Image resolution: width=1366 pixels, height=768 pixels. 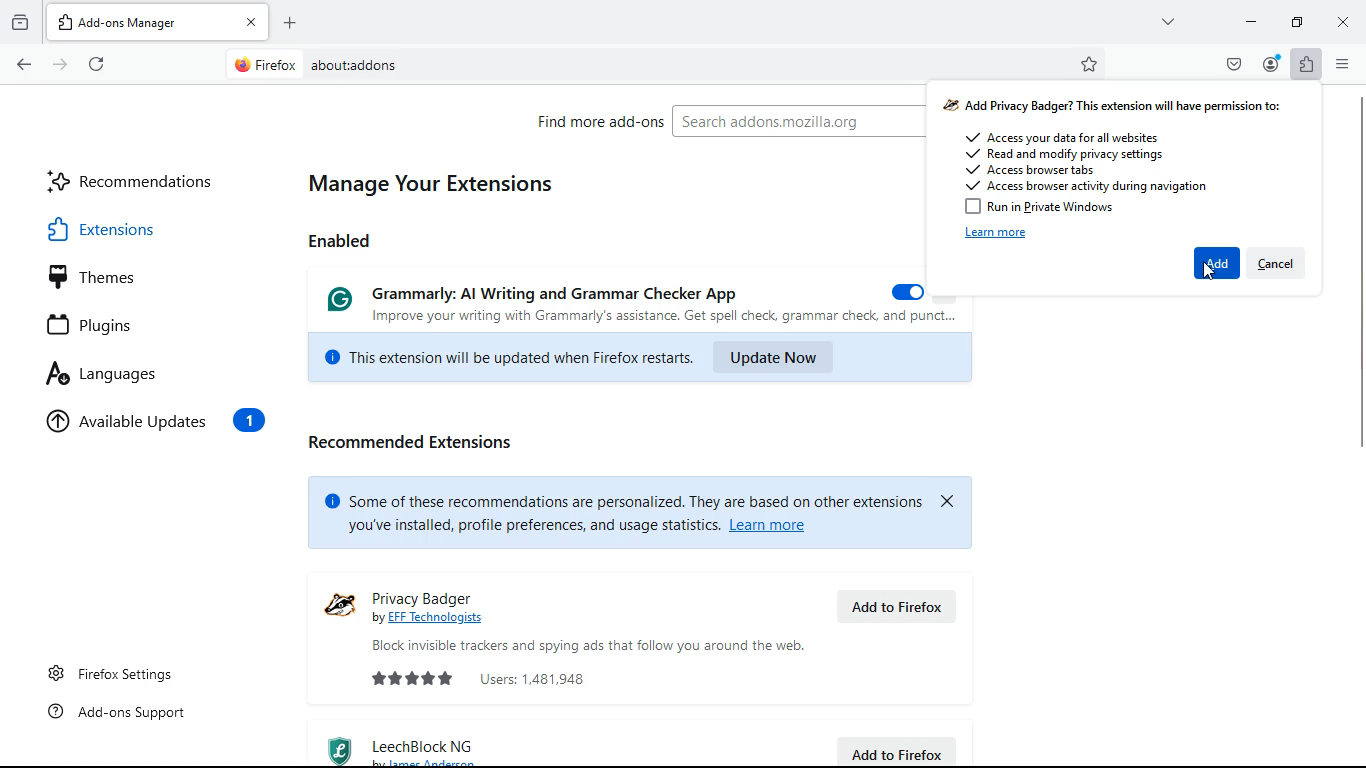 I want to click on Read and modify privacy settings, so click(x=1062, y=153).